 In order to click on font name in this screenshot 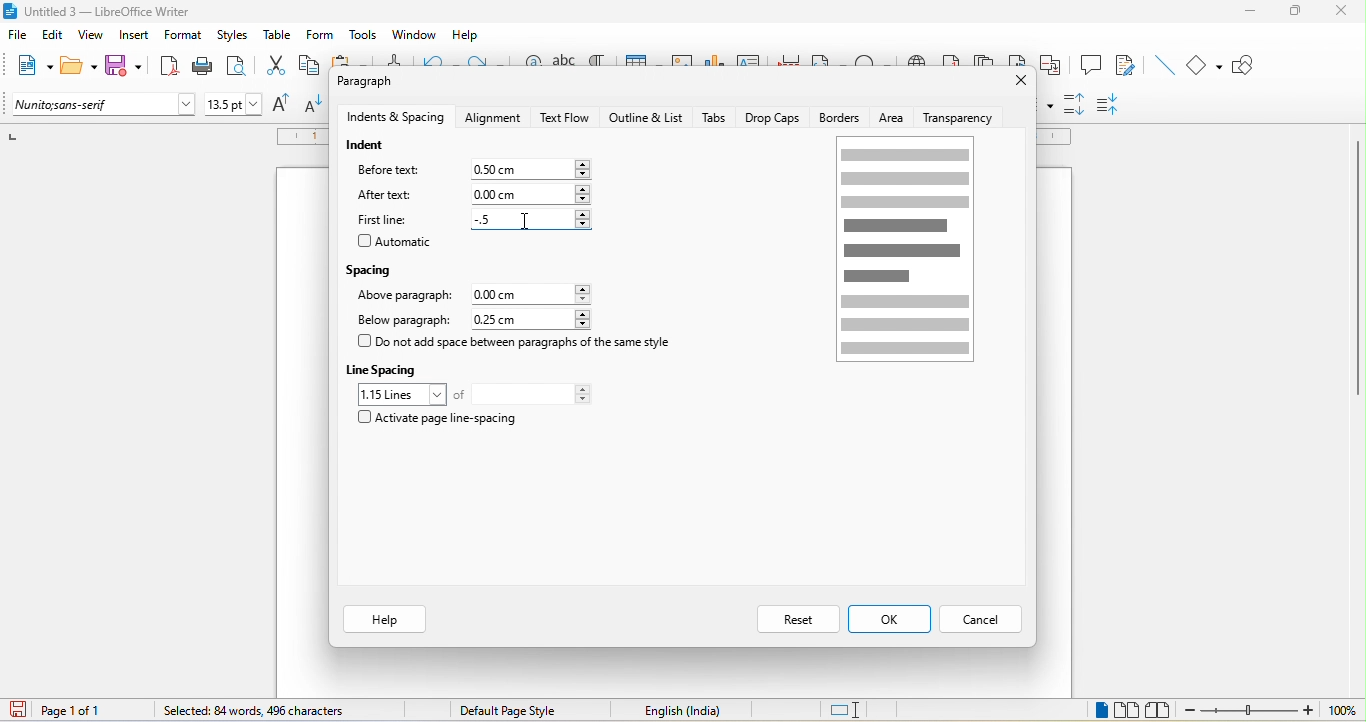, I will do `click(105, 105)`.